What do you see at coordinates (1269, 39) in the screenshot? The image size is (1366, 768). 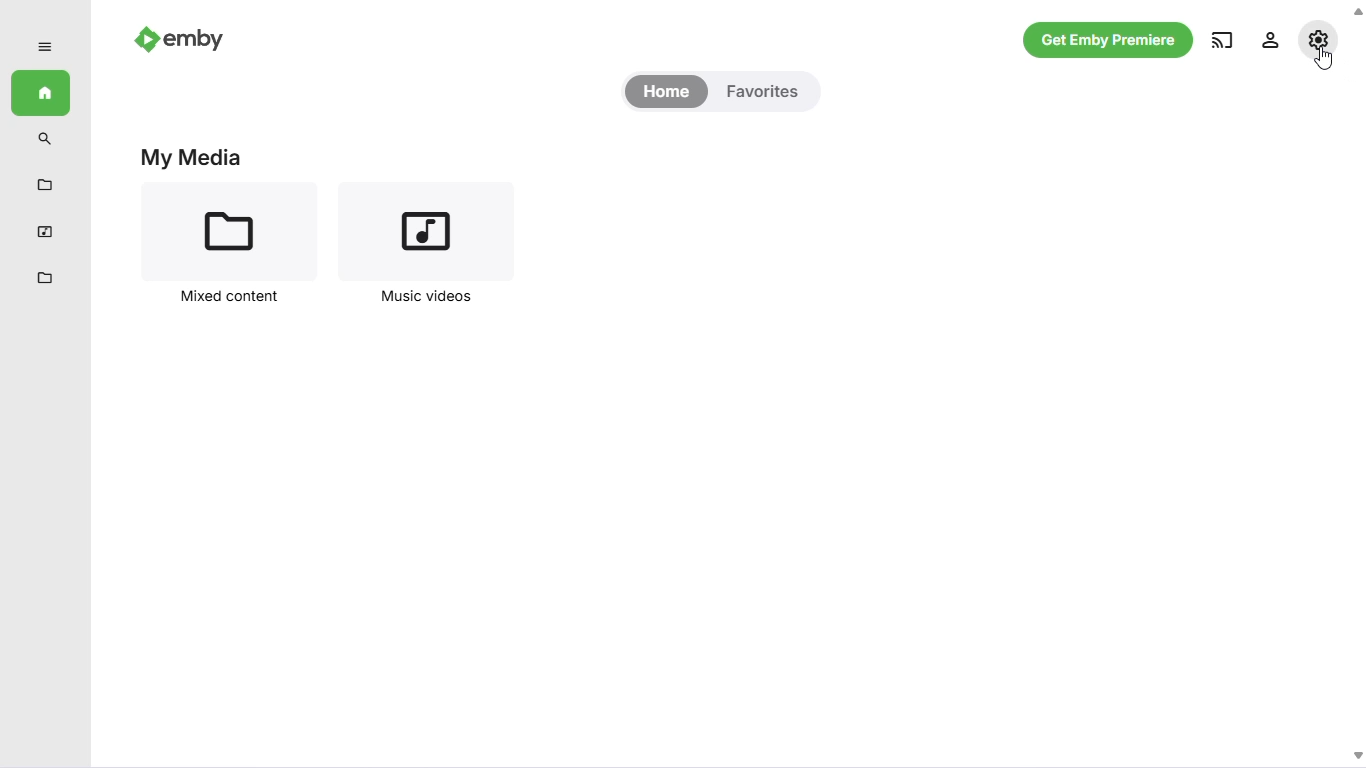 I see `manage emby server` at bounding box center [1269, 39].